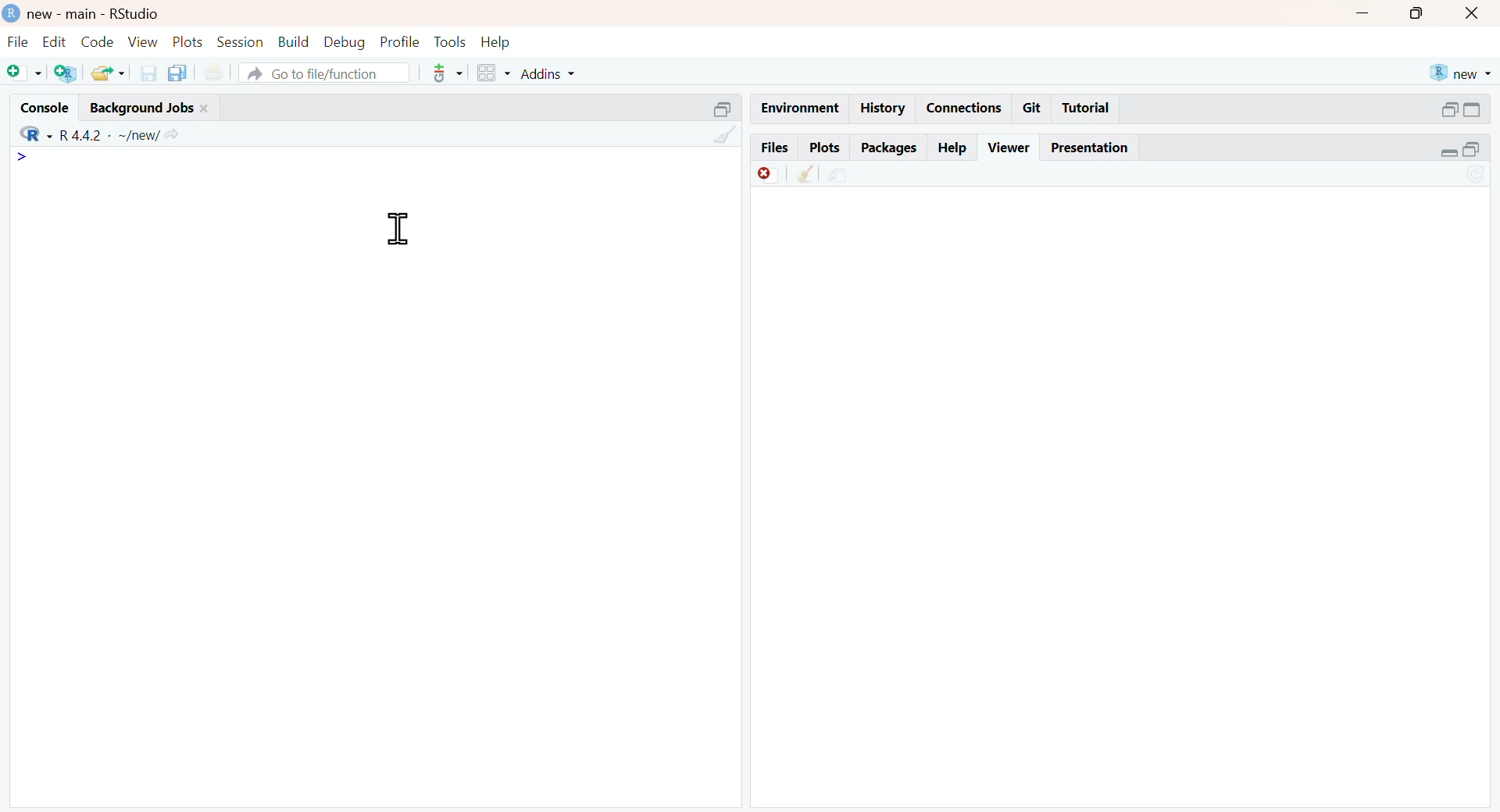  What do you see at coordinates (20, 69) in the screenshot?
I see `New file` at bounding box center [20, 69].